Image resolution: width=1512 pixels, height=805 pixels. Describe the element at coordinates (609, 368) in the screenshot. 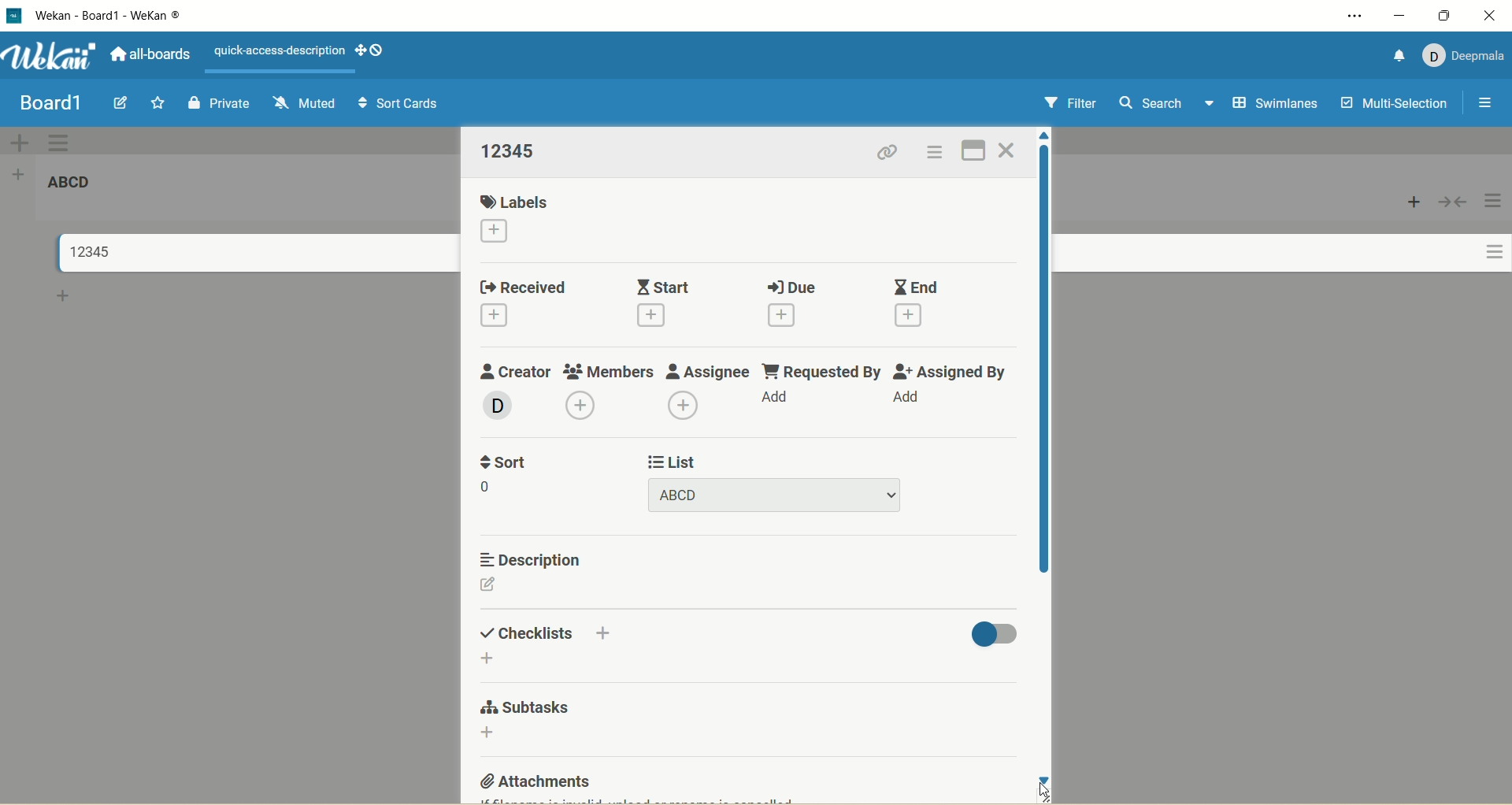

I see `members` at that location.